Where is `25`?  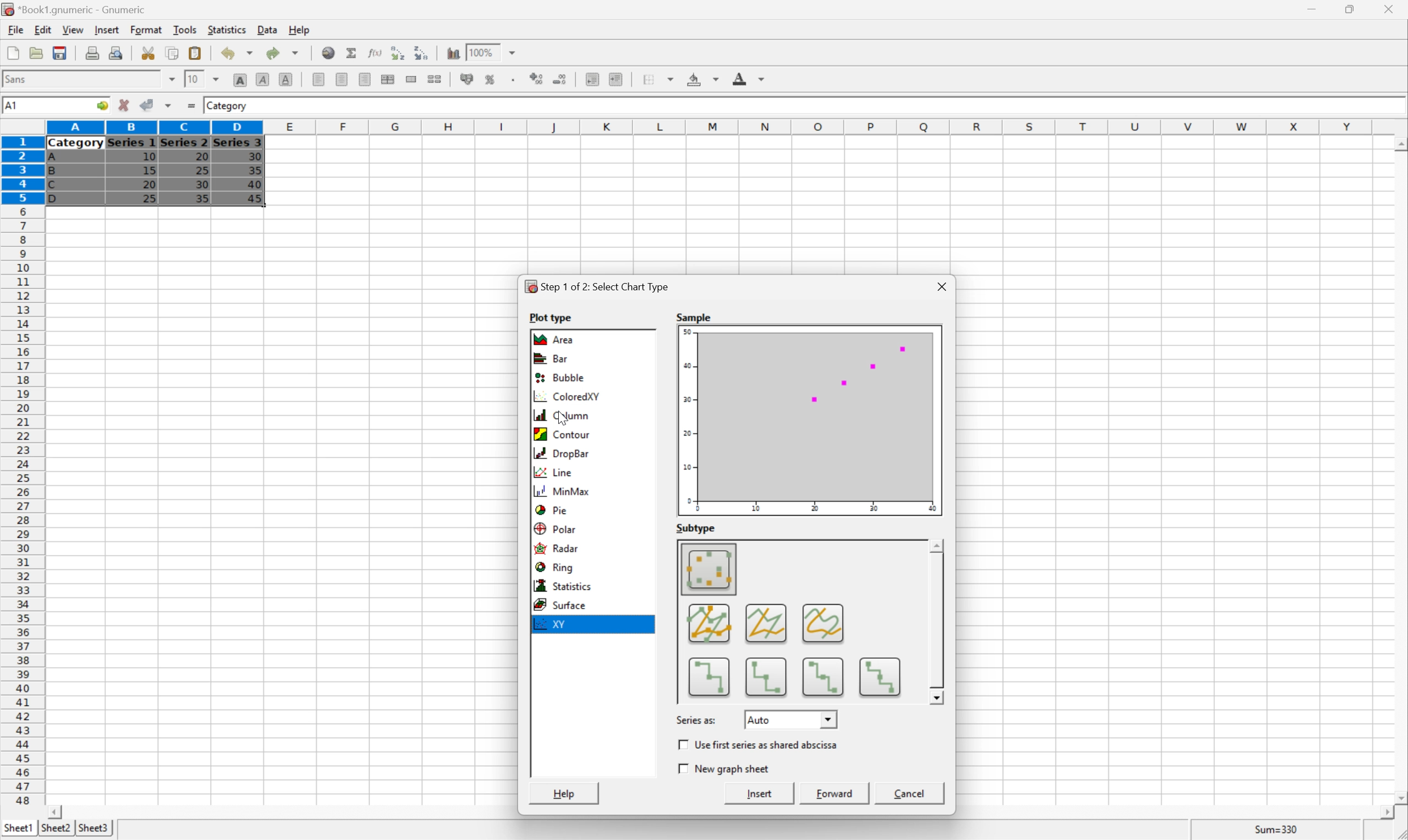
25 is located at coordinates (149, 199).